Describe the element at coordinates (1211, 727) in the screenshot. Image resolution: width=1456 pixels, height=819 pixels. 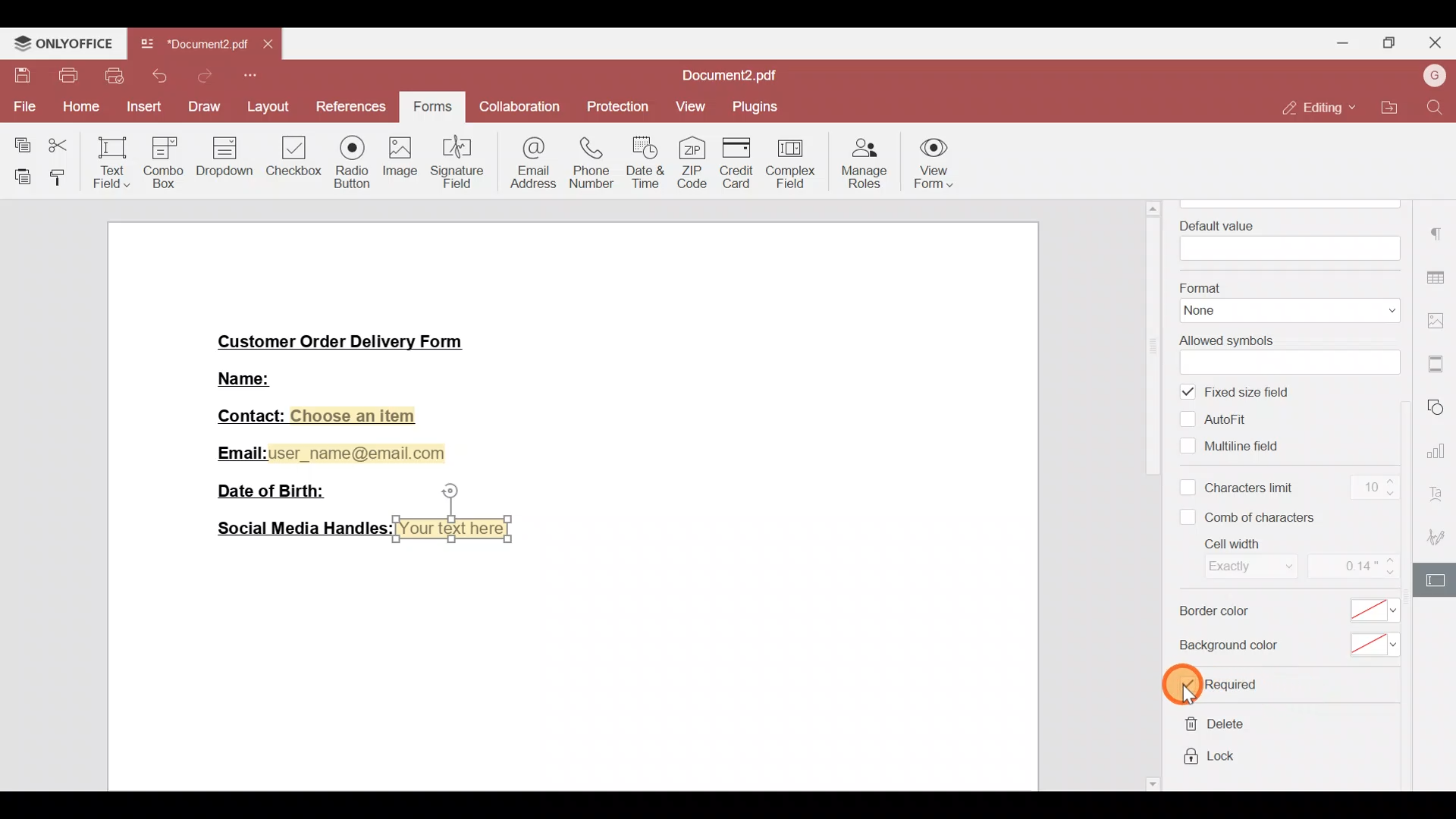
I see `Delete` at that location.